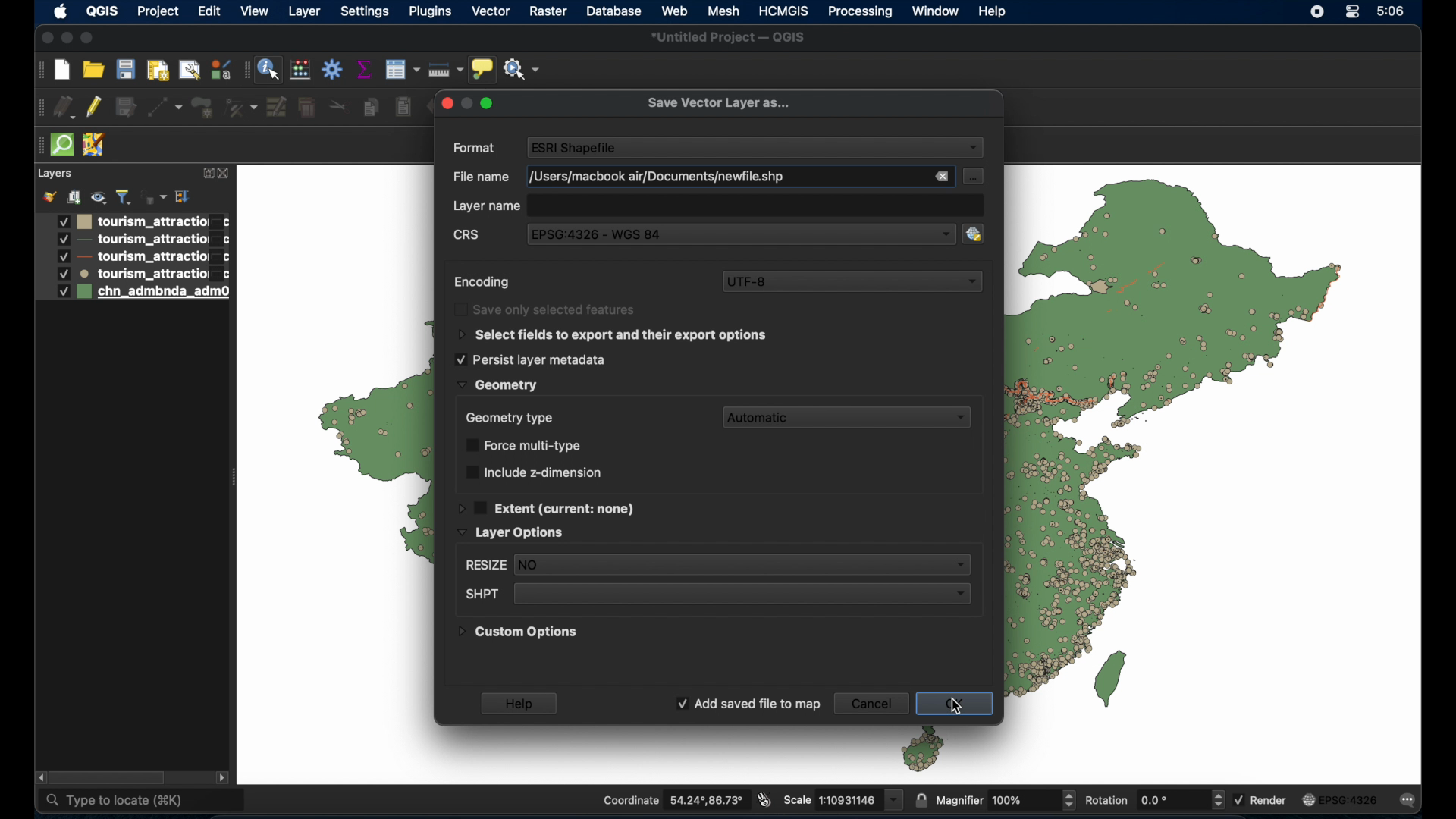 This screenshot has height=819, width=1456. Describe the element at coordinates (548, 507) in the screenshot. I see `extent` at that location.